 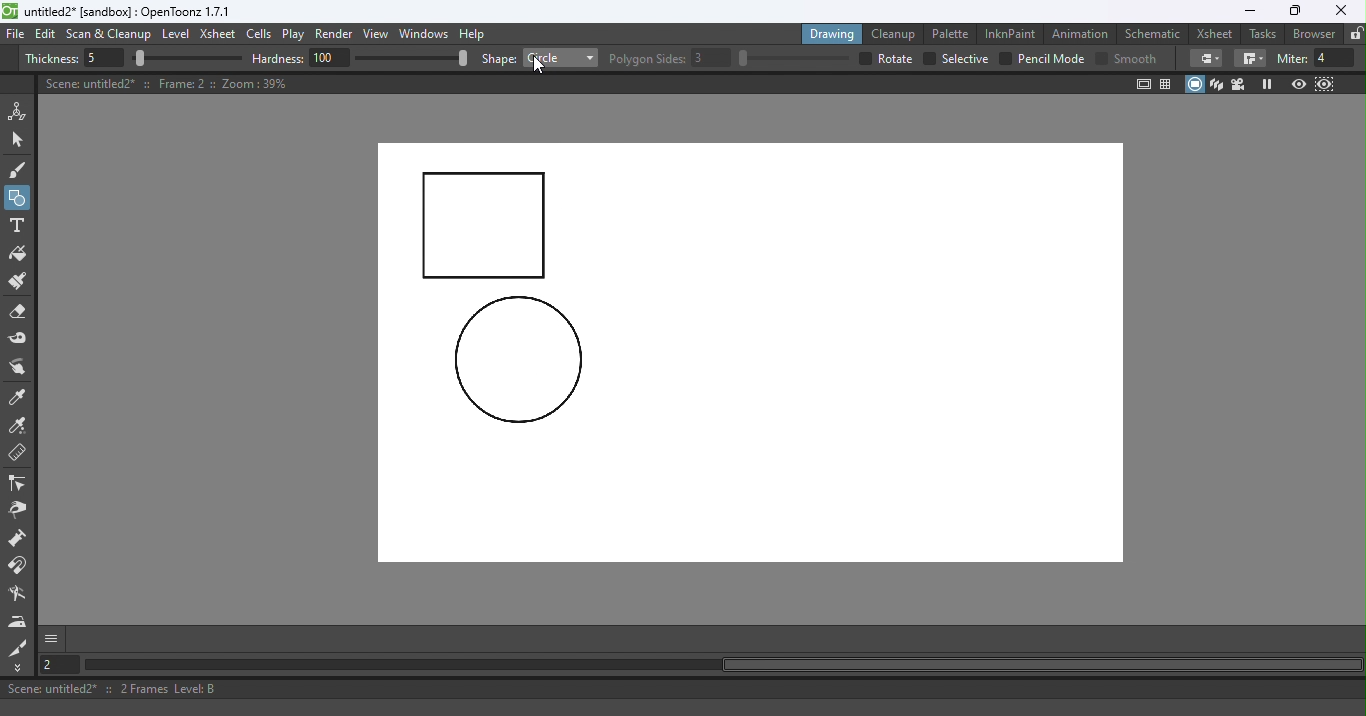 I want to click on Cutter tool, so click(x=18, y=647).